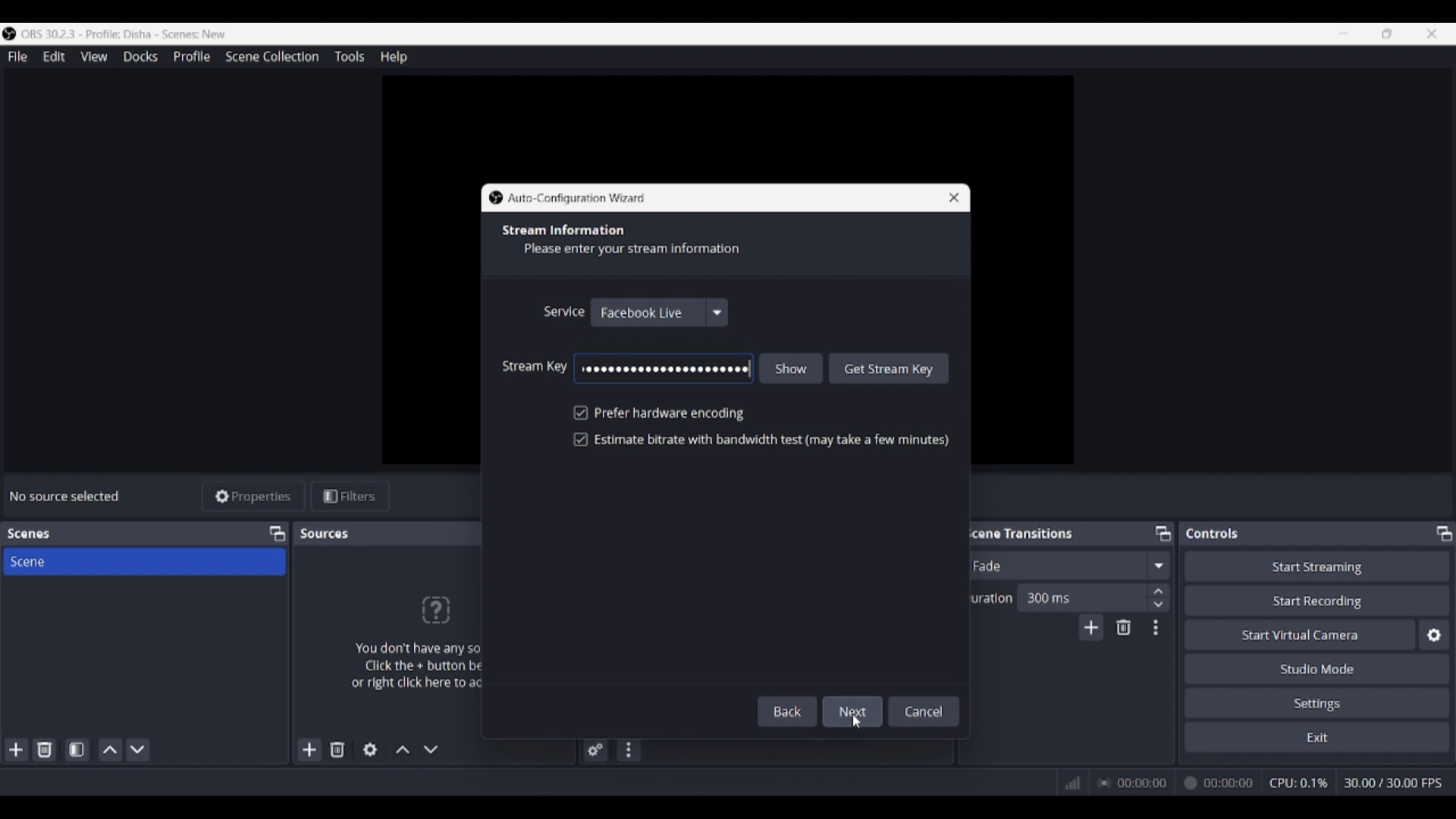  What do you see at coordinates (17, 56) in the screenshot?
I see `File menu` at bounding box center [17, 56].